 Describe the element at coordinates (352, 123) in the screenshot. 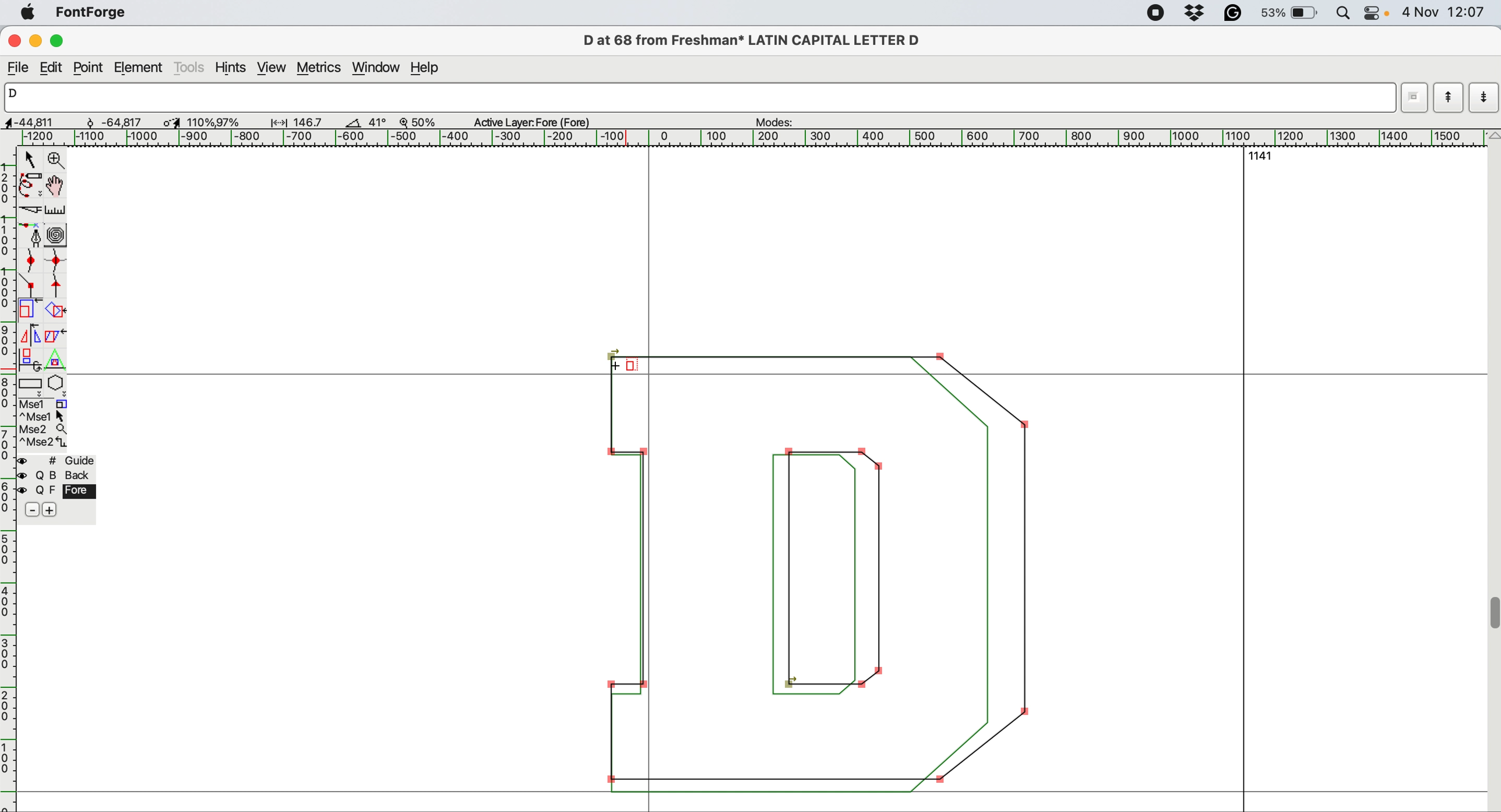

I see `angle` at that location.